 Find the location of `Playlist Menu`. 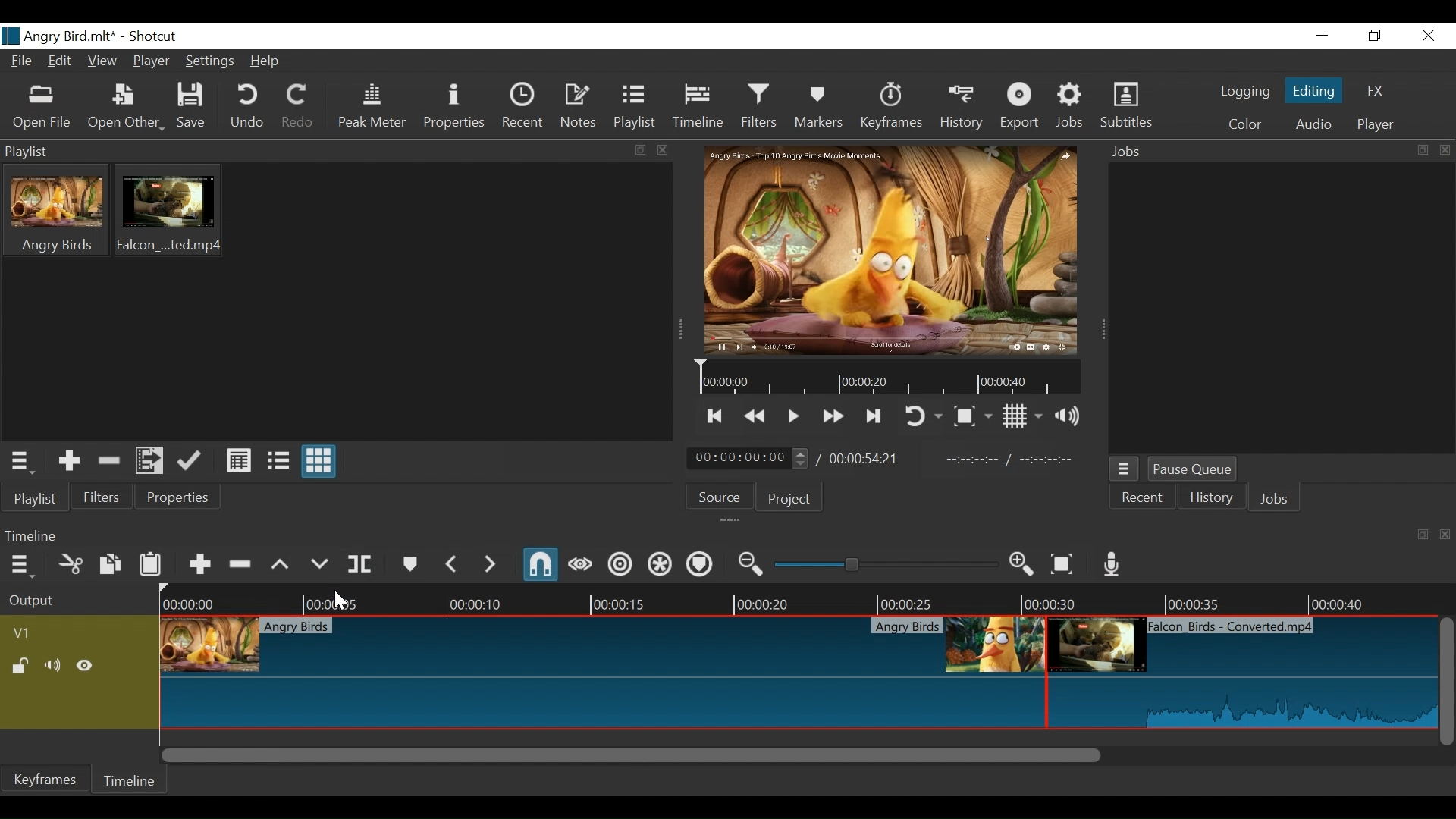

Playlist Menu is located at coordinates (21, 463).